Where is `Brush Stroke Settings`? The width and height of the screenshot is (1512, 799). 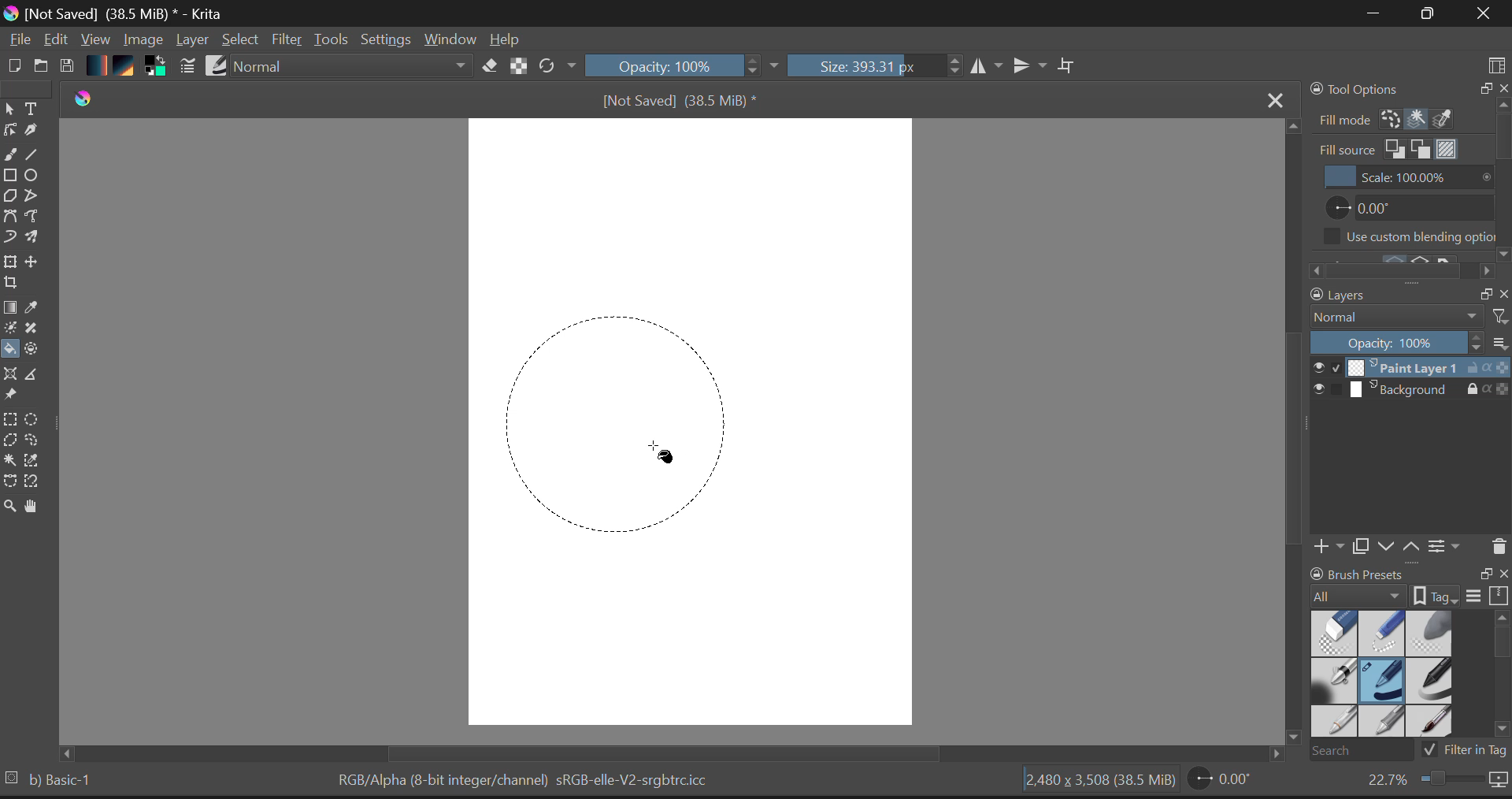 Brush Stroke Settings is located at coordinates (186, 66).